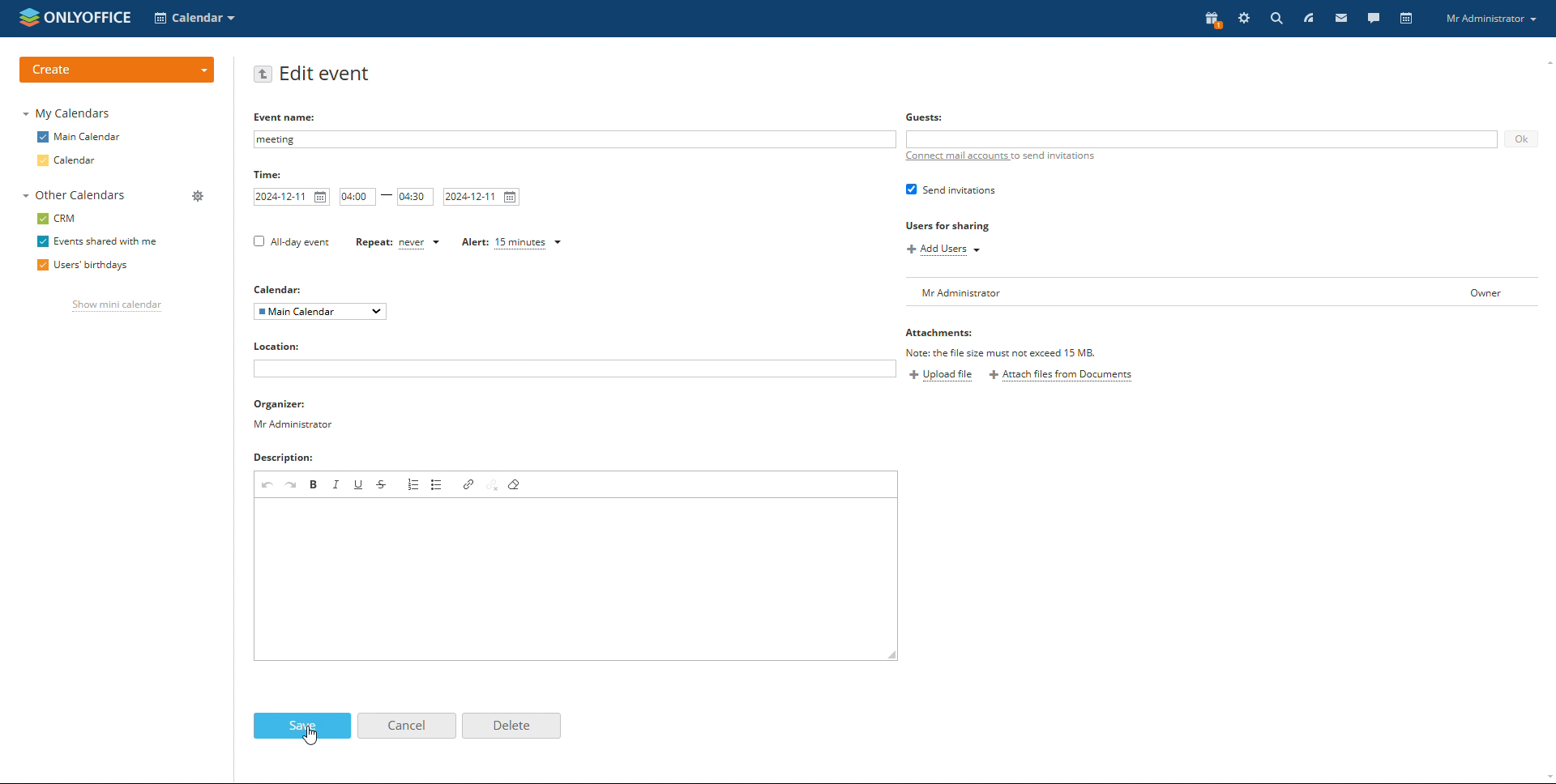 The height and width of the screenshot is (784, 1556). What do you see at coordinates (492, 485) in the screenshot?
I see `unlink` at bounding box center [492, 485].